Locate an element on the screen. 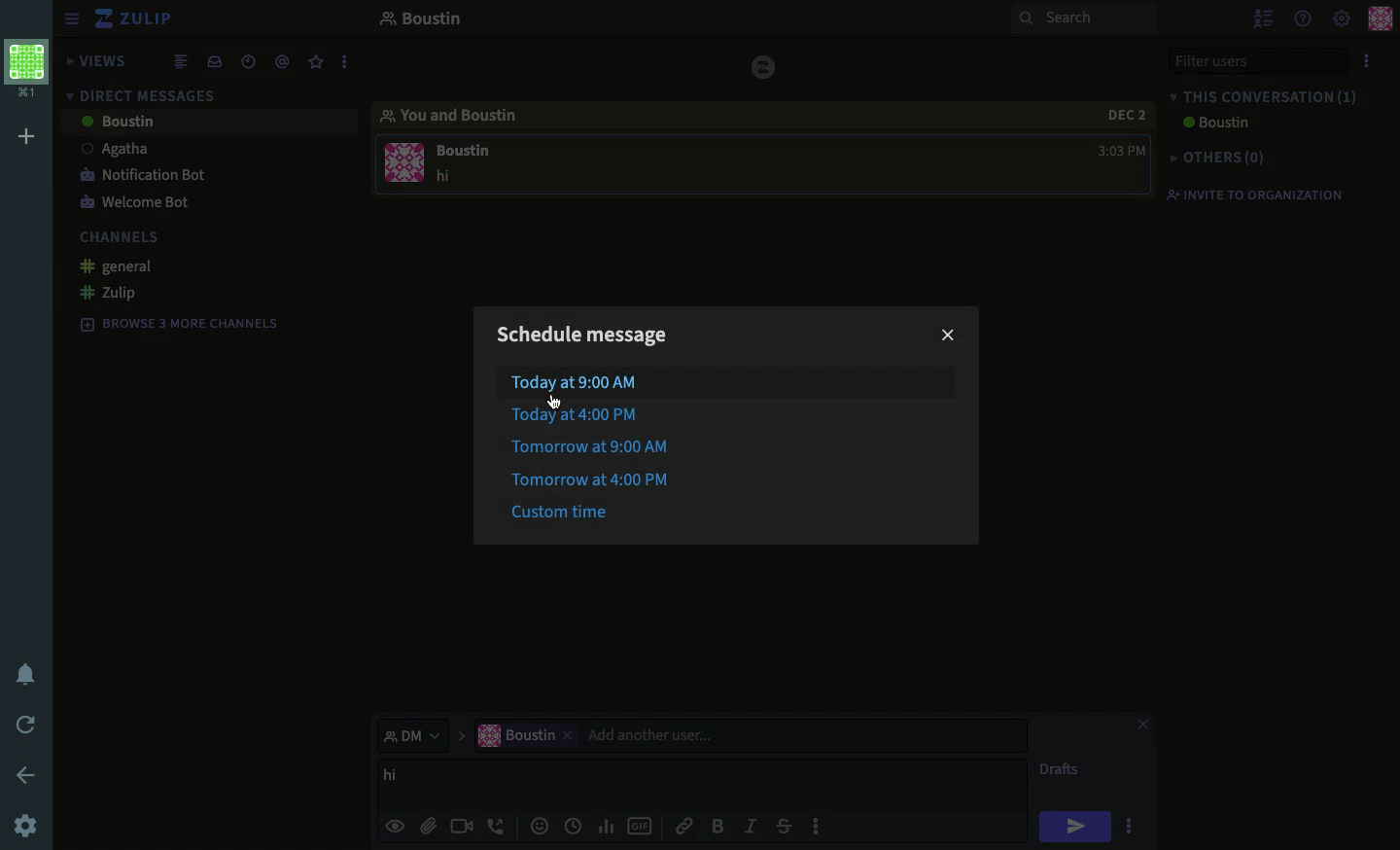  user profile is located at coordinates (403, 159).